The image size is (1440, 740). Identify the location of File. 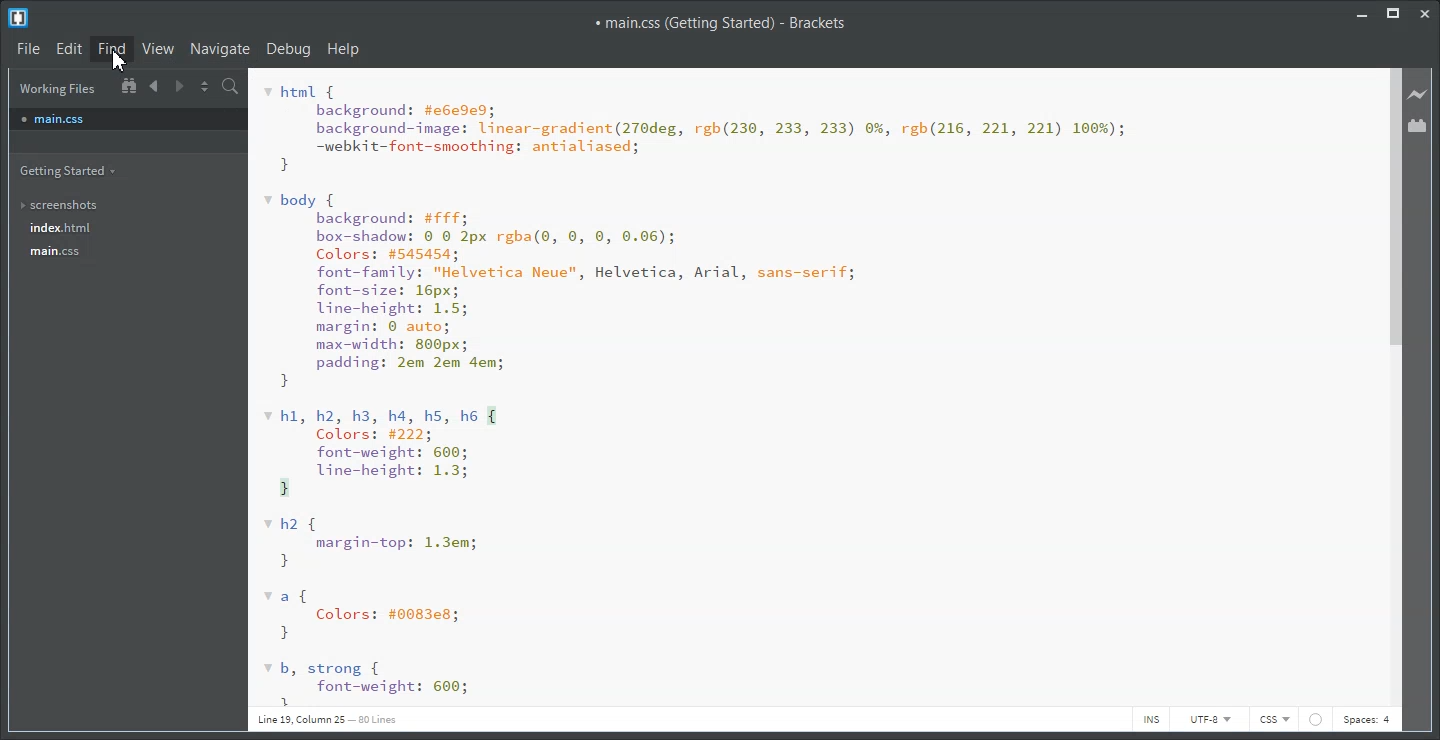
(27, 47).